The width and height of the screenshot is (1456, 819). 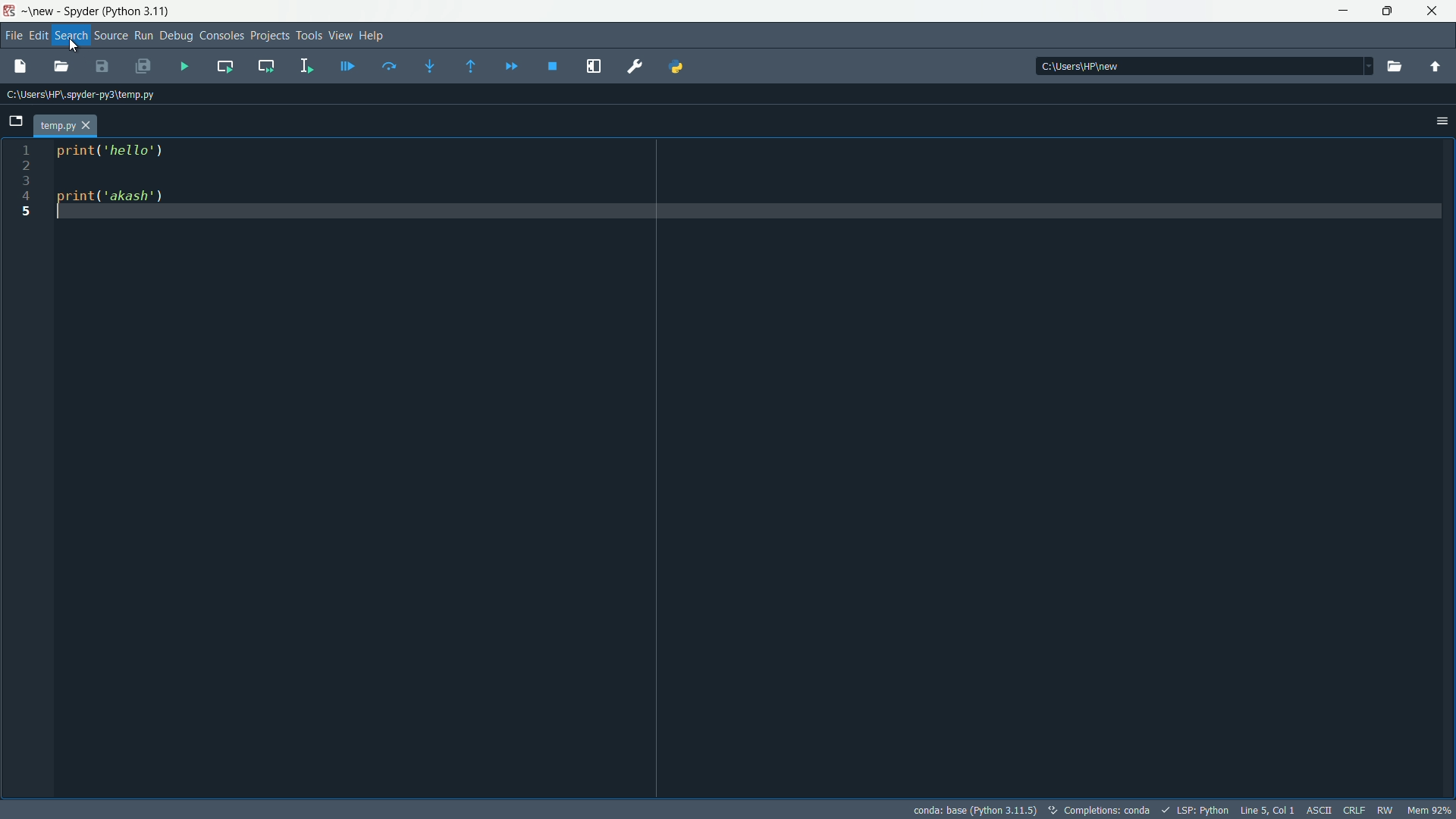 I want to click on run file, so click(x=184, y=67).